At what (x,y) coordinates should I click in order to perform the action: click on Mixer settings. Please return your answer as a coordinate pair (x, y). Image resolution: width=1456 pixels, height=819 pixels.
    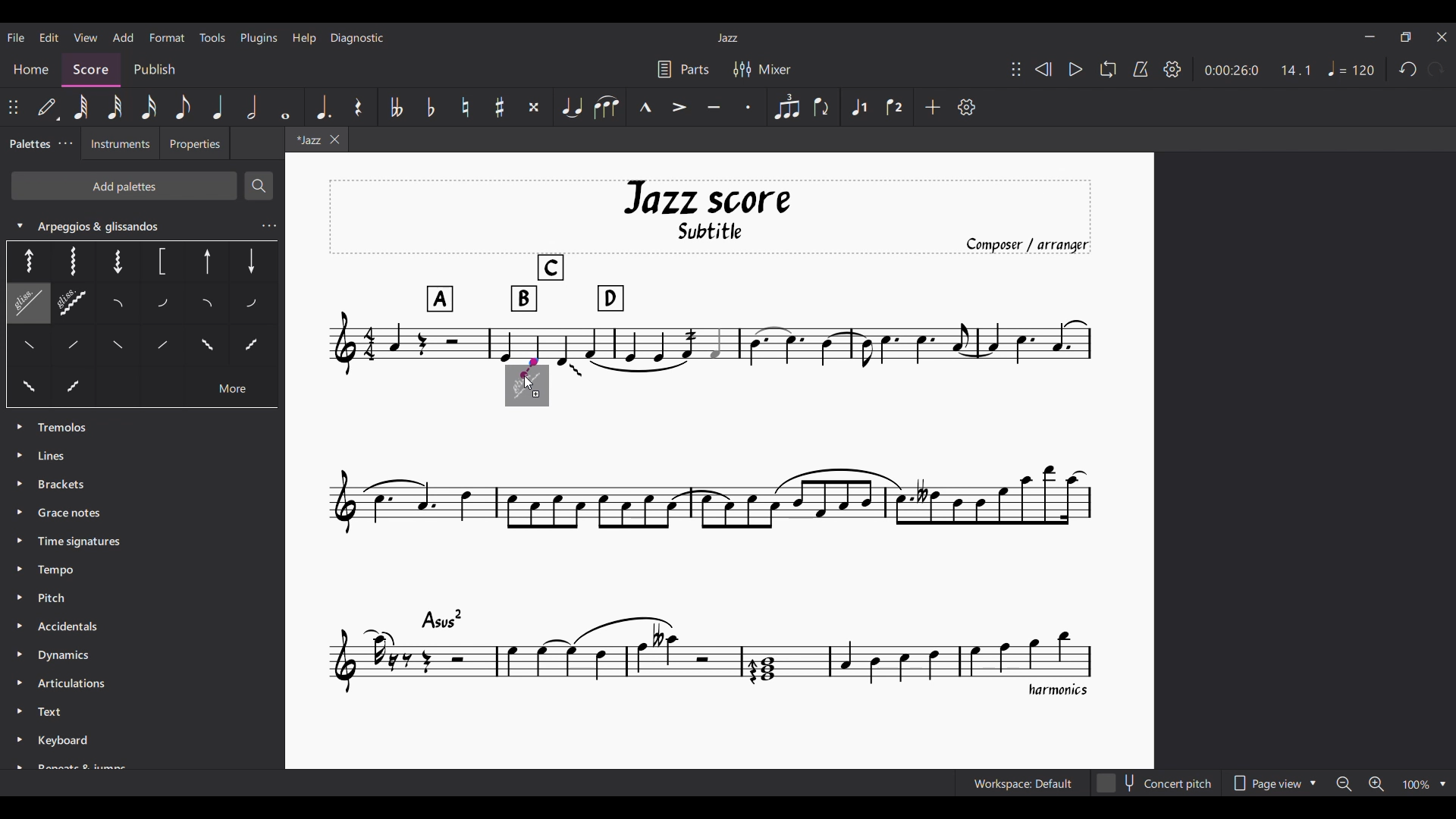
    Looking at the image, I should click on (761, 69).